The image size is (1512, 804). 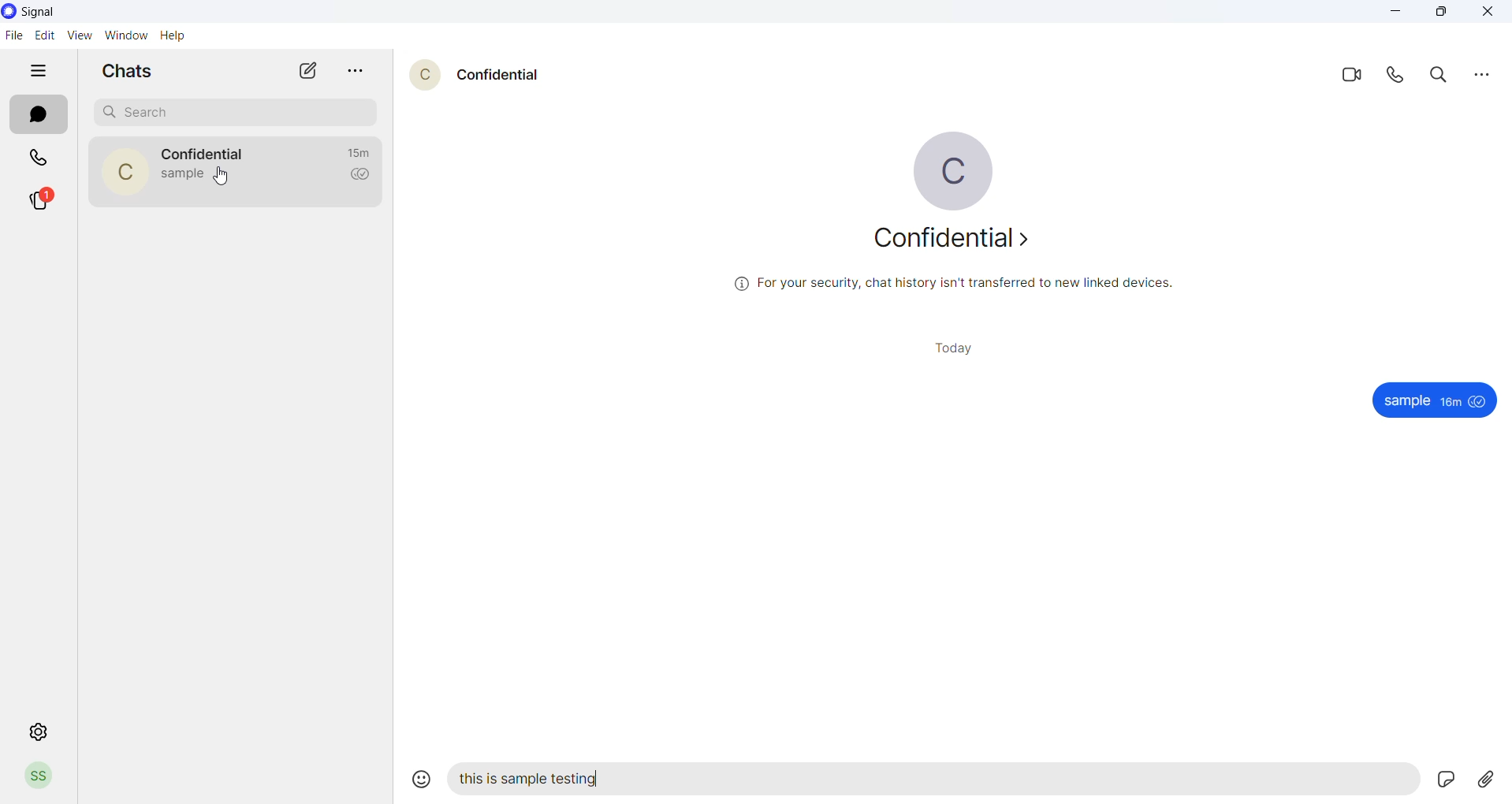 What do you see at coordinates (127, 72) in the screenshot?
I see `chats heading` at bounding box center [127, 72].